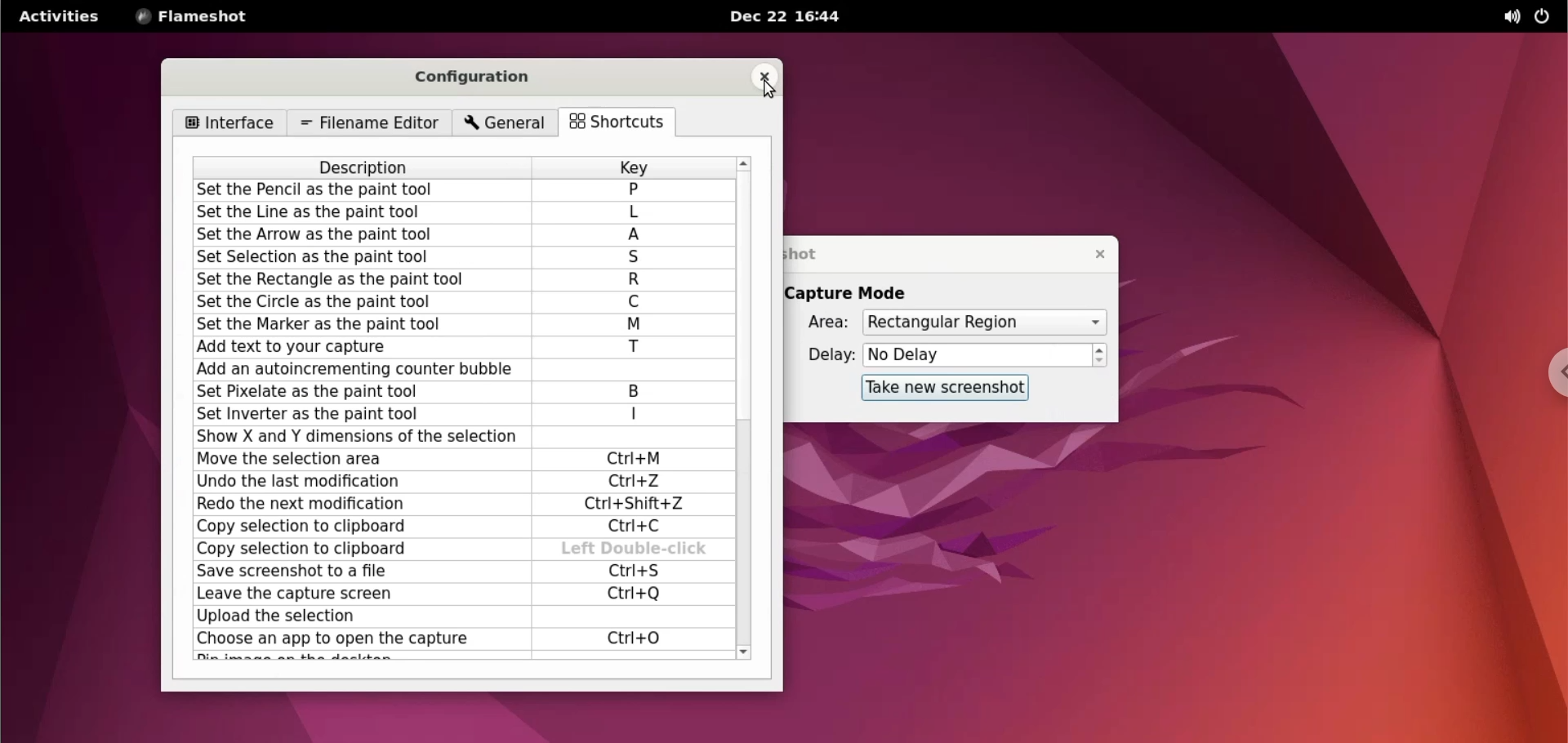 The image size is (1568, 743). I want to click on description , so click(366, 167).